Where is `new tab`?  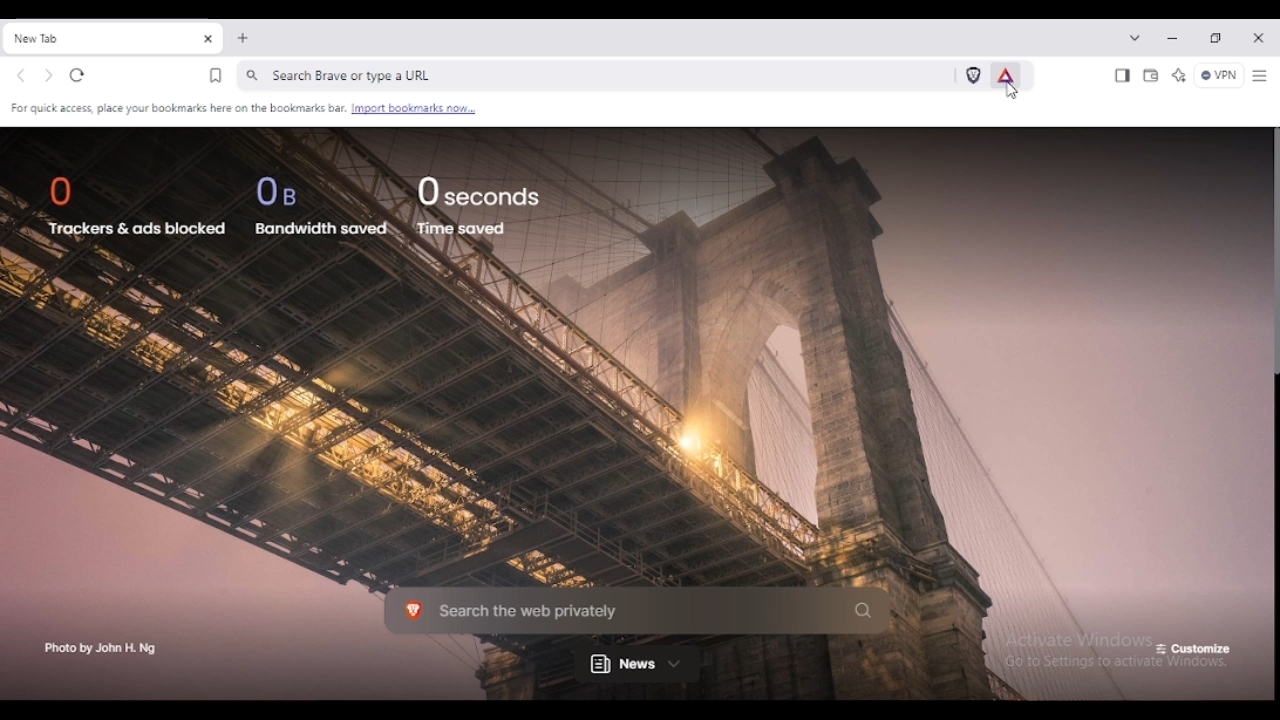
new tab is located at coordinates (98, 38).